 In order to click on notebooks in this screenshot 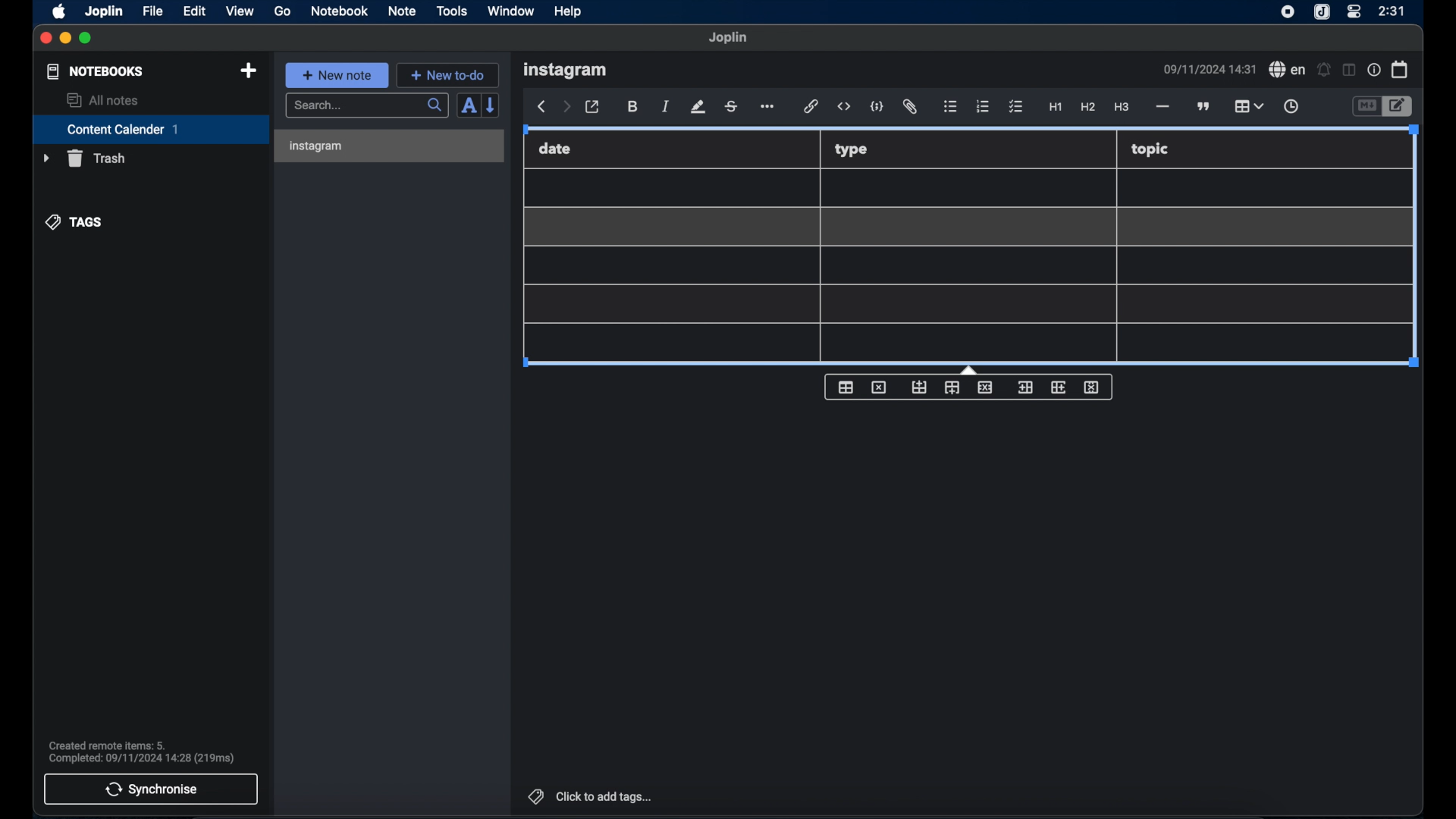, I will do `click(96, 71)`.